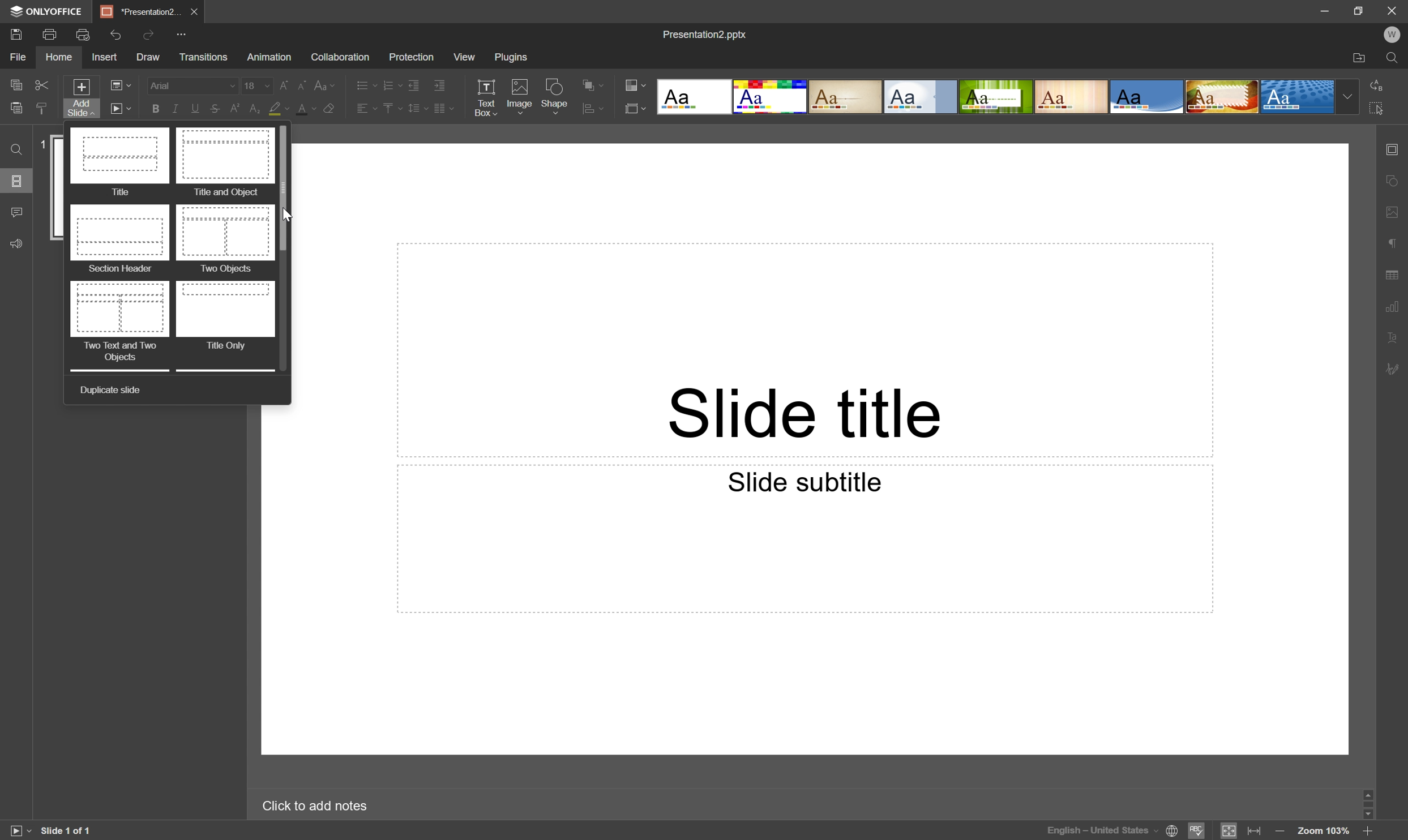  Describe the element at coordinates (139, 11) in the screenshot. I see `*Presentation2...` at that location.